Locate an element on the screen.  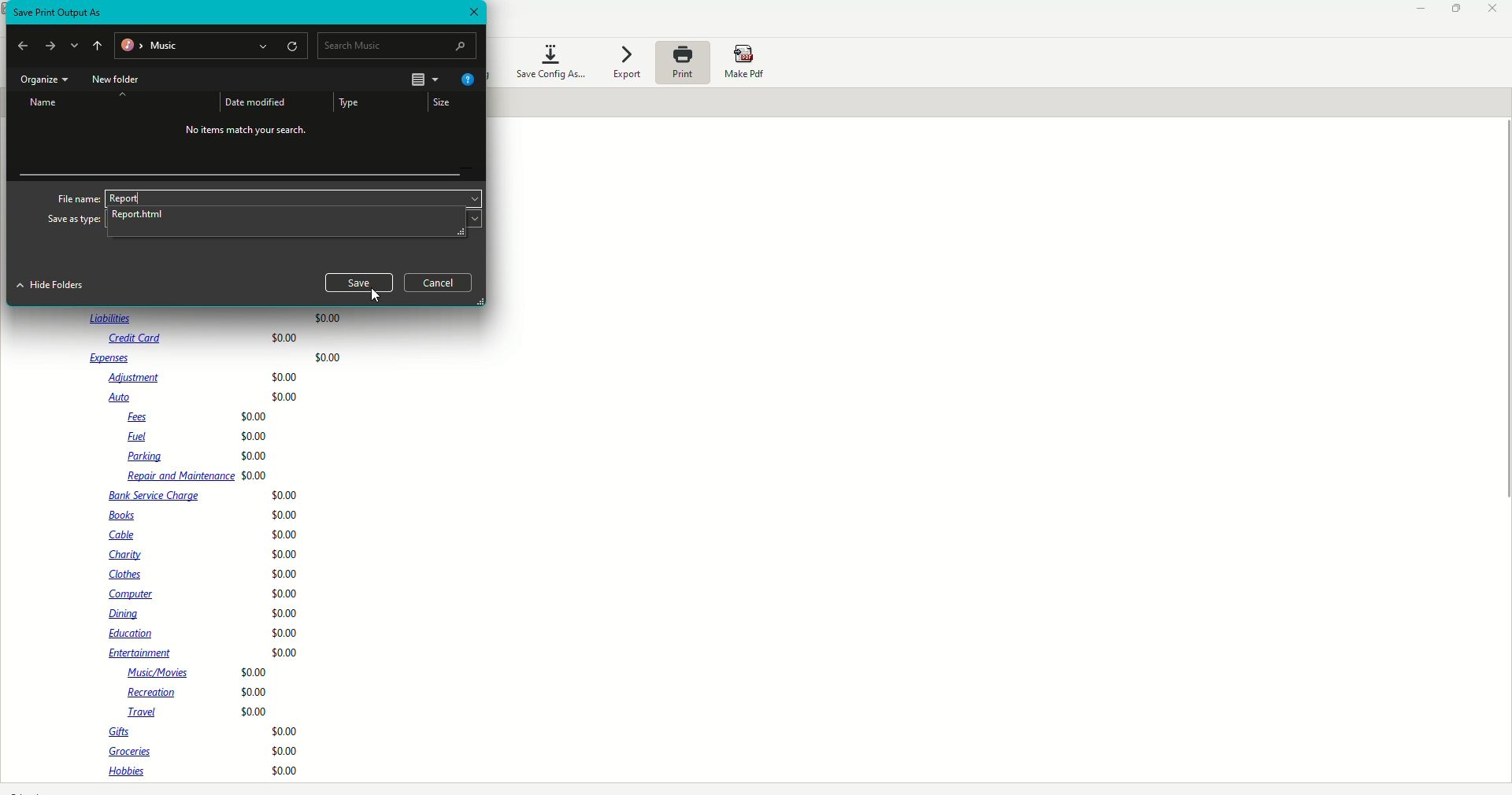
Report is located at coordinates (125, 198).